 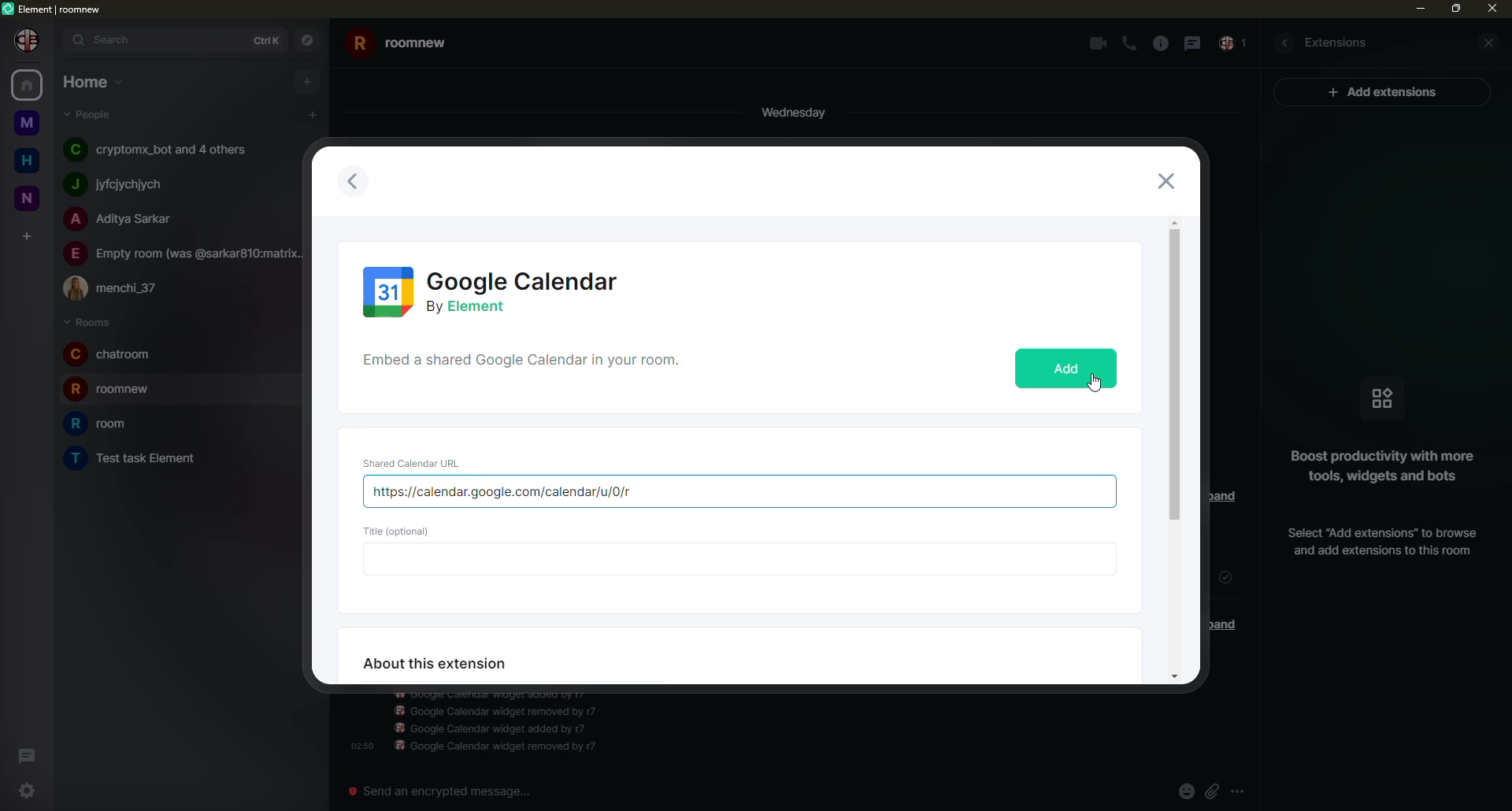 I want to click on people, so click(x=161, y=150).